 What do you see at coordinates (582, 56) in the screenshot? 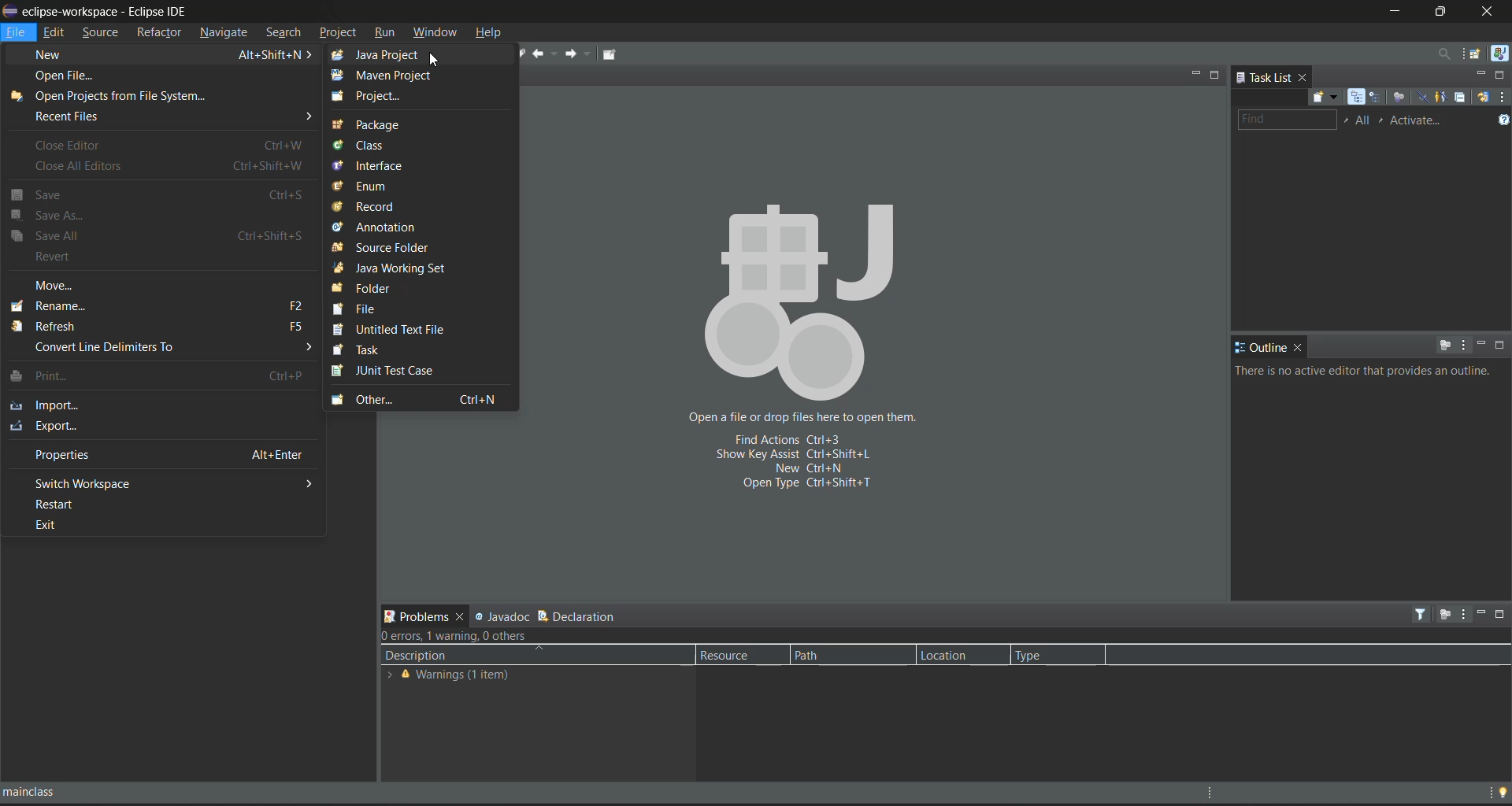
I see `forward` at bounding box center [582, 56].